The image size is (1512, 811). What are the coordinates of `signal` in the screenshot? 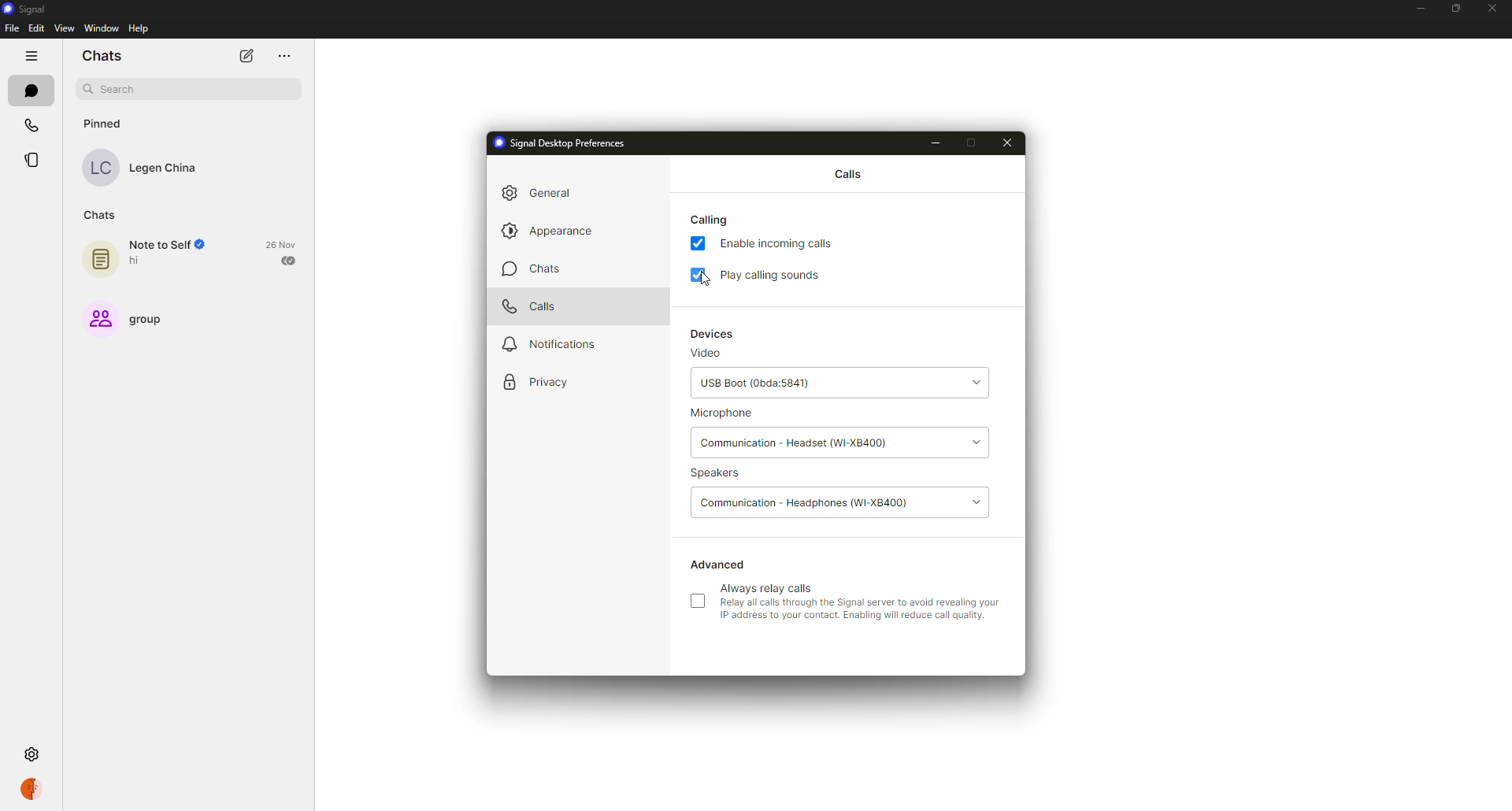 It's located at (28, 10).